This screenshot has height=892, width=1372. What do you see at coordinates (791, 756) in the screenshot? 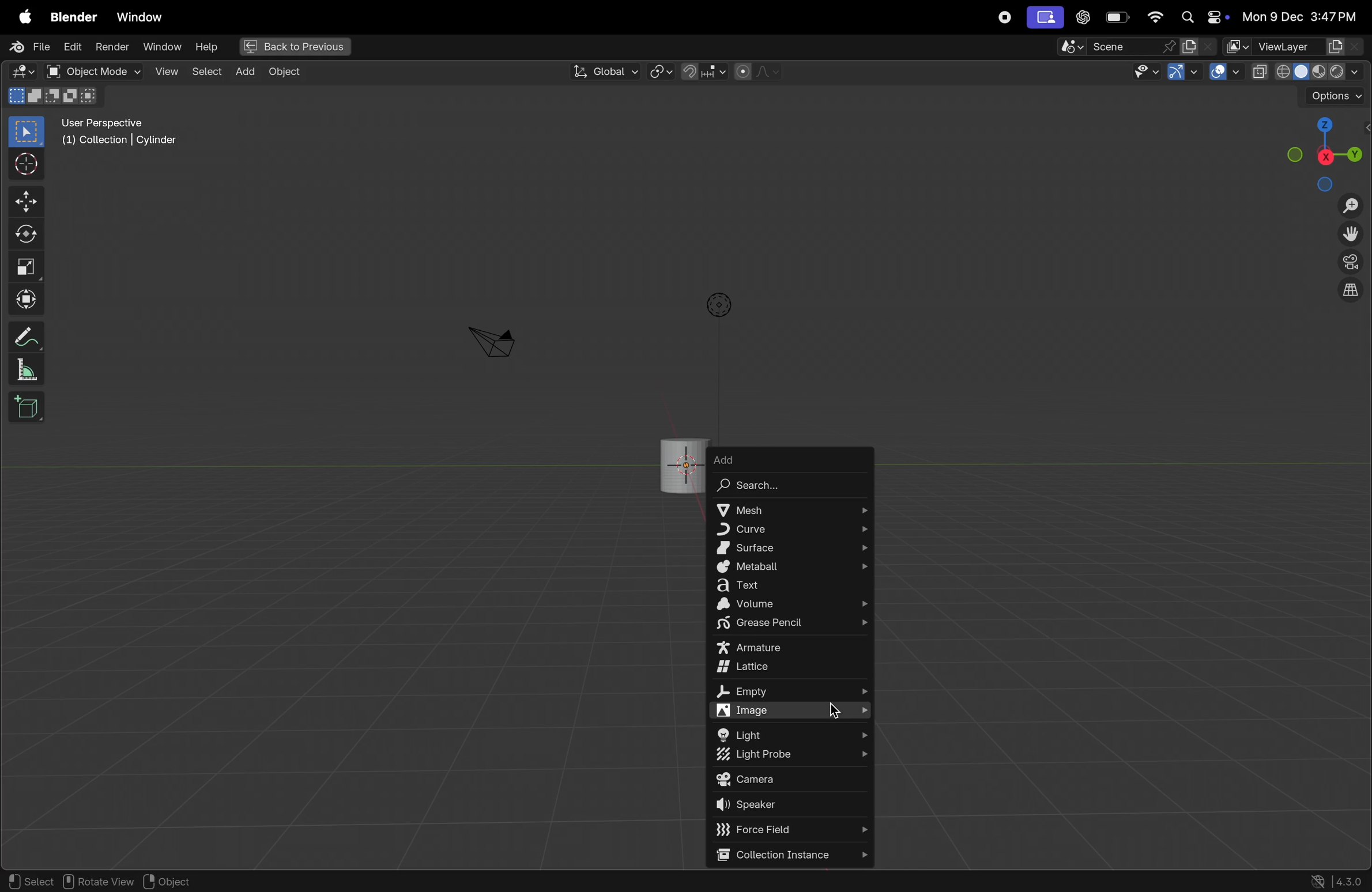
I see `lighy probr` at bounding box center [791, 756].